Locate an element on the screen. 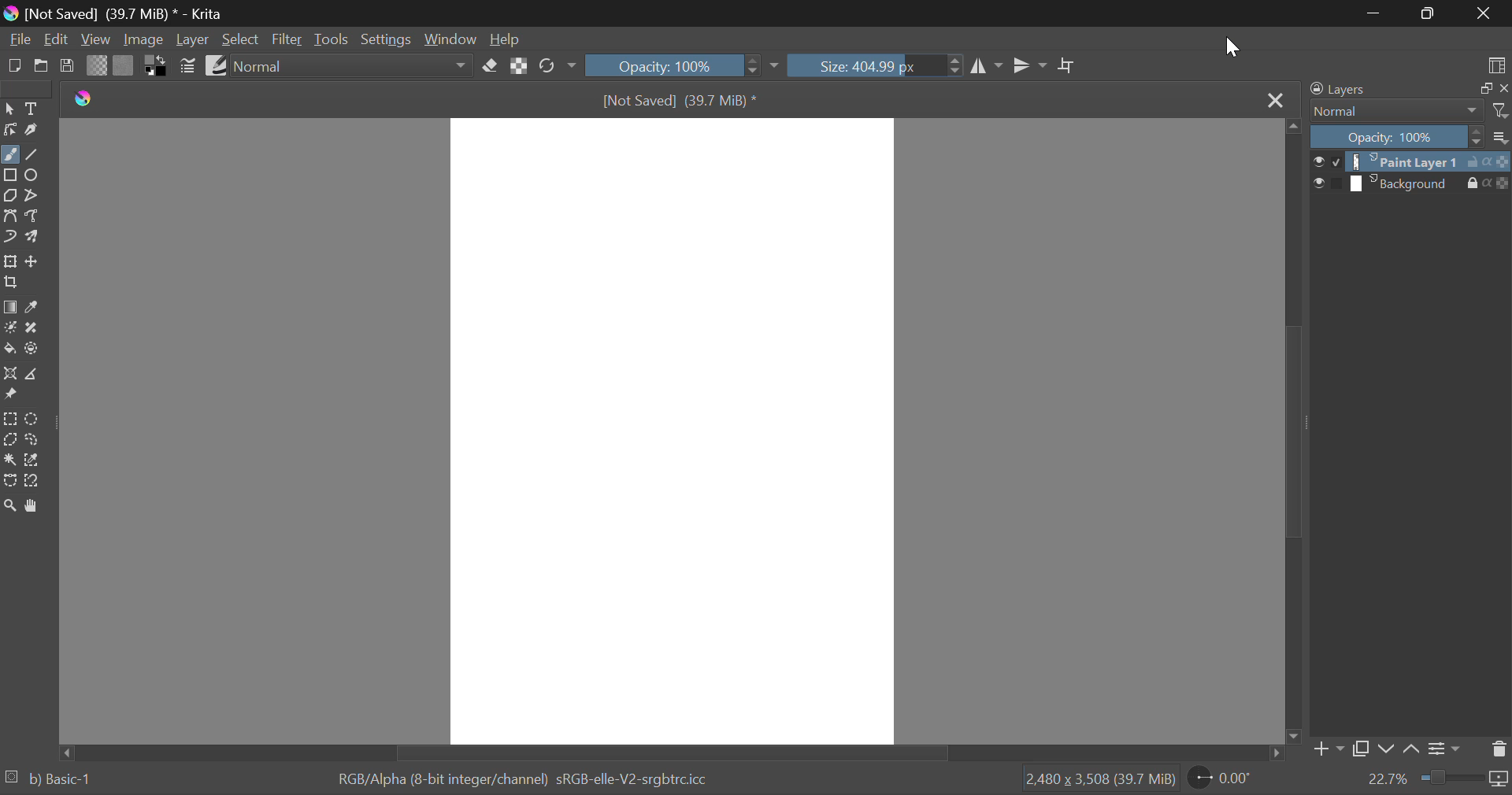 The height and width of the screenshot is (795, 1512). Layer is located at coordinates (193, 41).